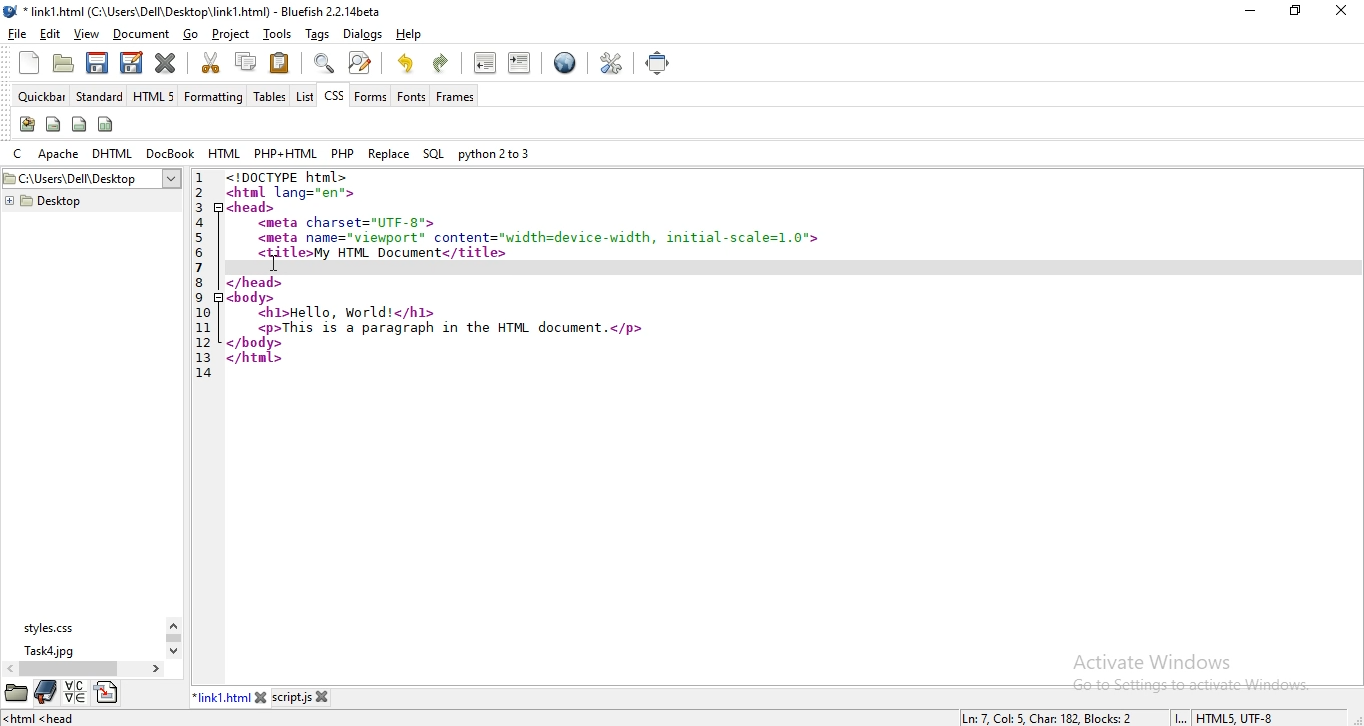 Image resolution: width=1364 pixels, height=726 pixels. I want to click on cursor, so click(273, 263).